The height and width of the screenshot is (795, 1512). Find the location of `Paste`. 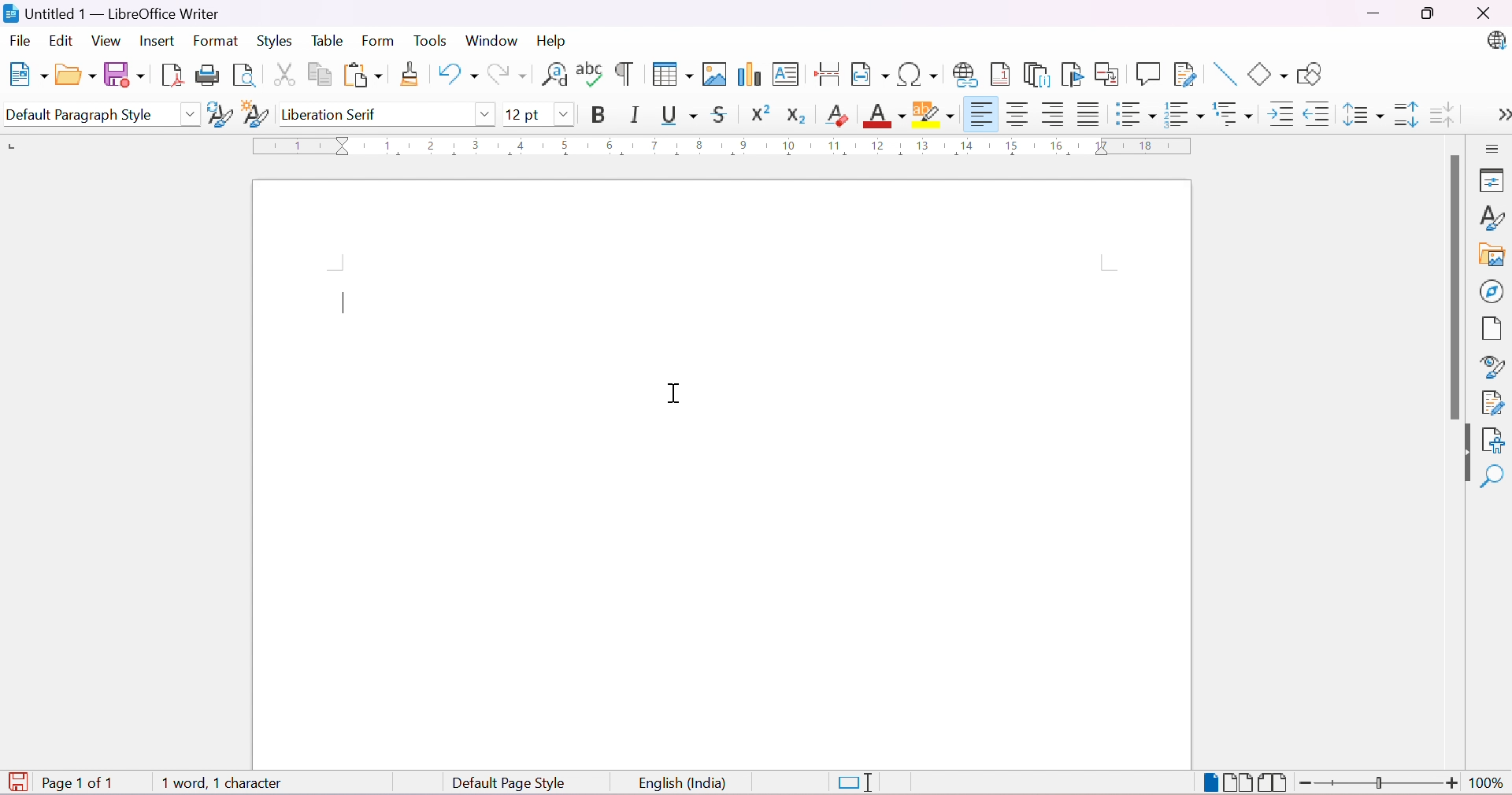

Paste is located at coordinates (361, 75).